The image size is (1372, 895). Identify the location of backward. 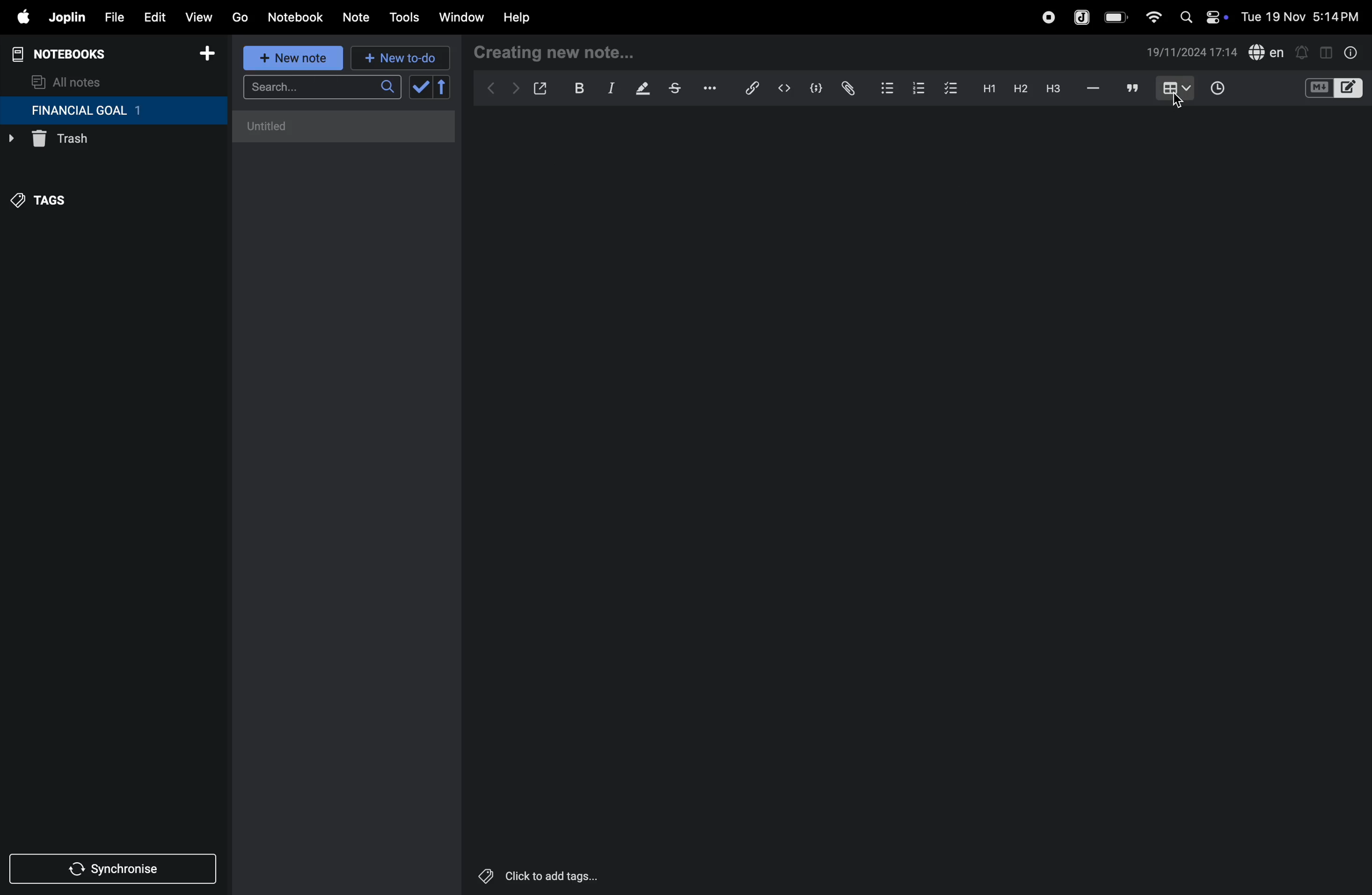
(487, 89).